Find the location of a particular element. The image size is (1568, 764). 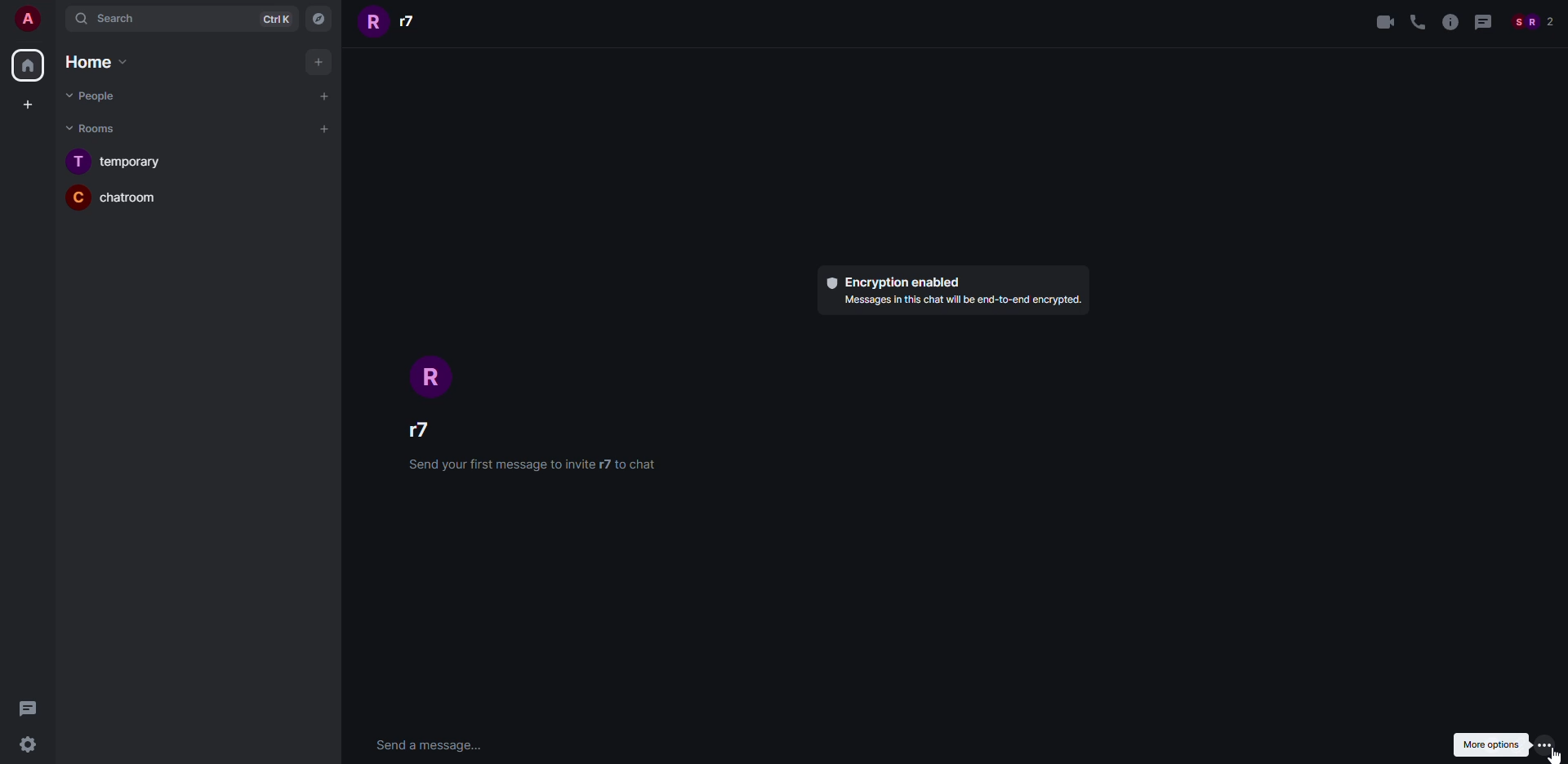

Search is located at coordinates (151, 19).